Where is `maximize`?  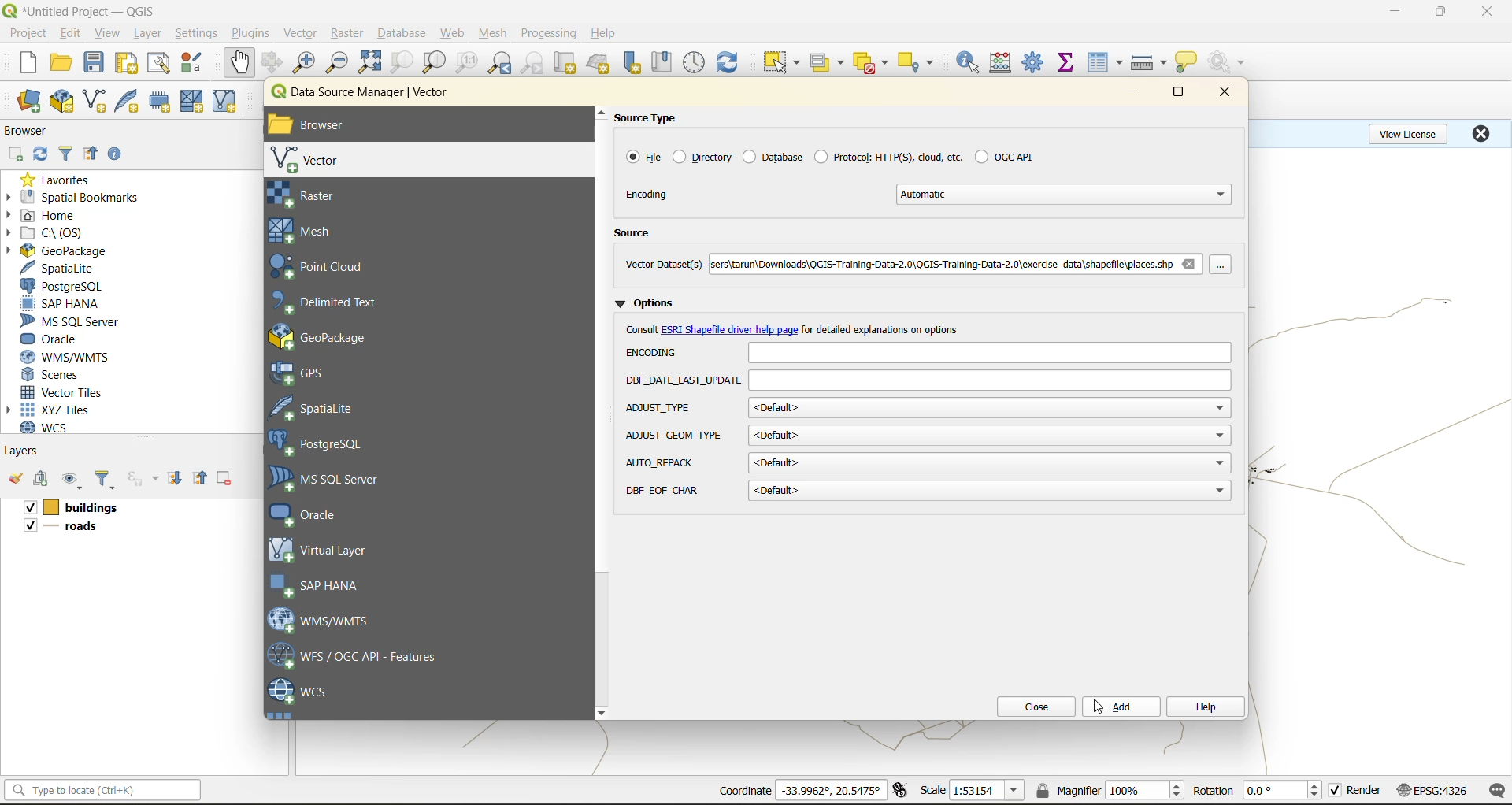
maximize is located at coordinates (1442, 12).